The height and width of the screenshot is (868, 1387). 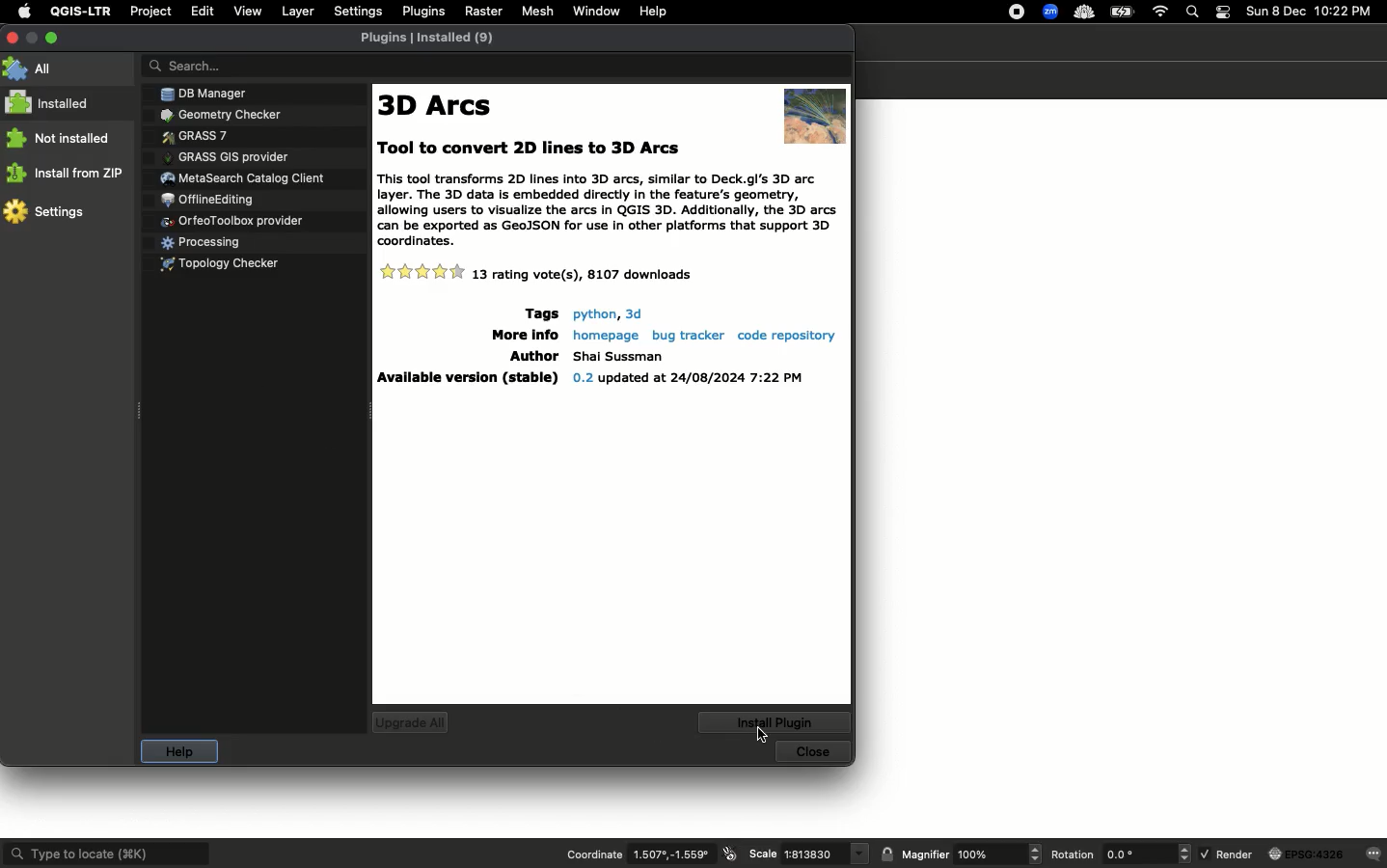 What do you see at coordinates (619, 357) in the screenshot?
I see `author` at bounding box center [619, 357].